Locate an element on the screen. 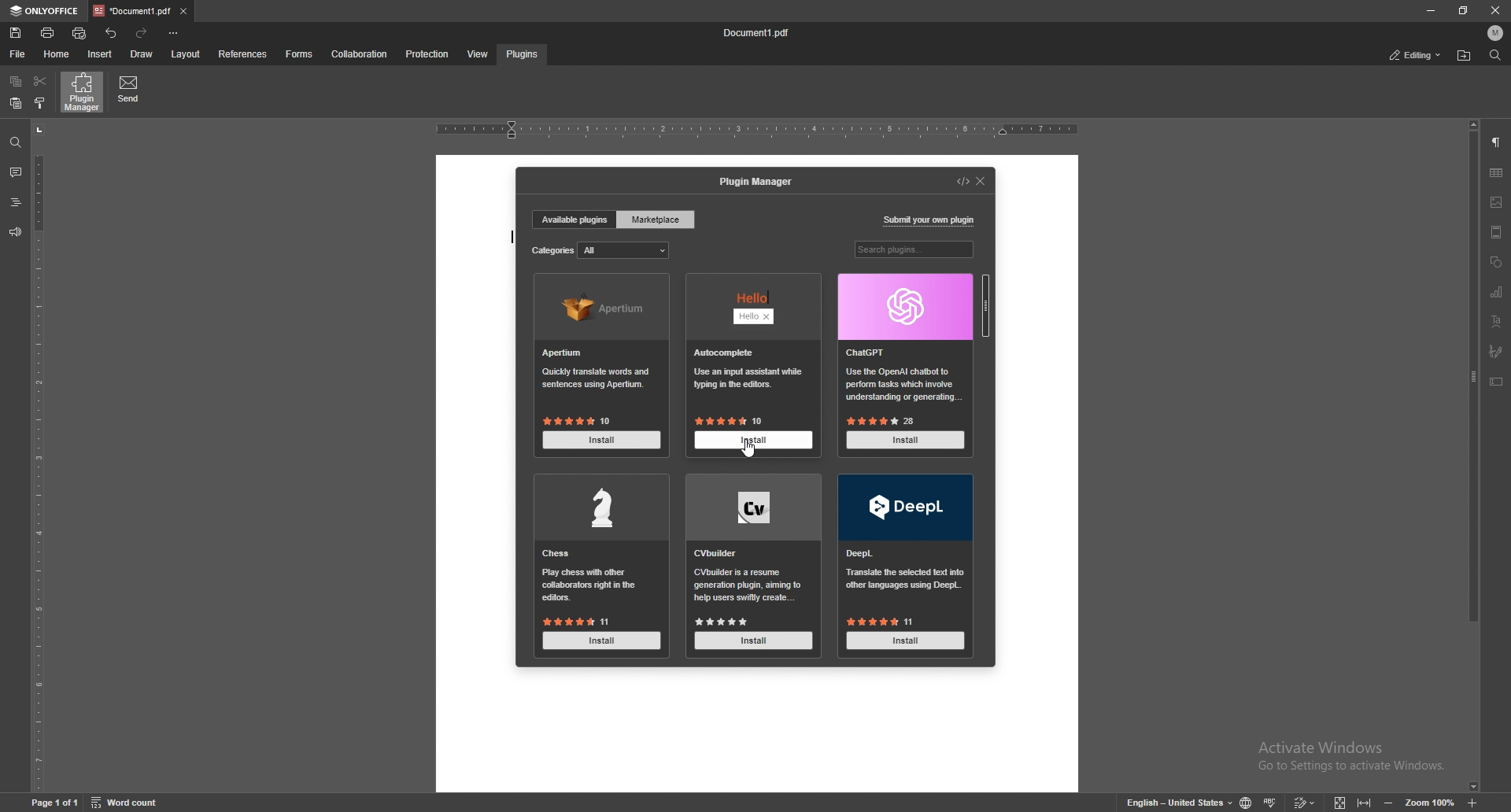 The width and height of the screenshot is (1511, 812). quick print is located at coordinates (79, 33).